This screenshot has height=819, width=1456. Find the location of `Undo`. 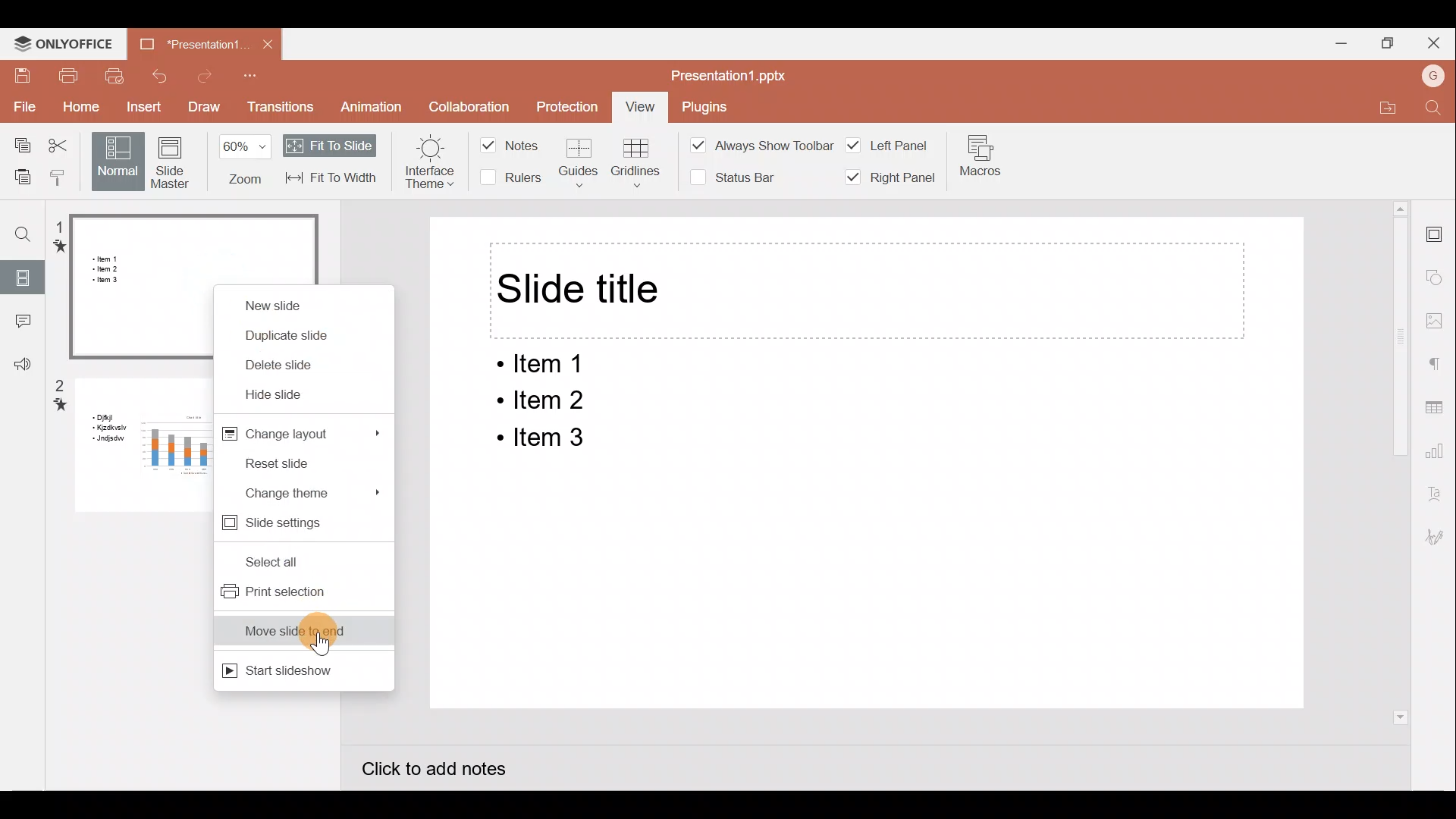

Undo is located at coordinates (162, 76).